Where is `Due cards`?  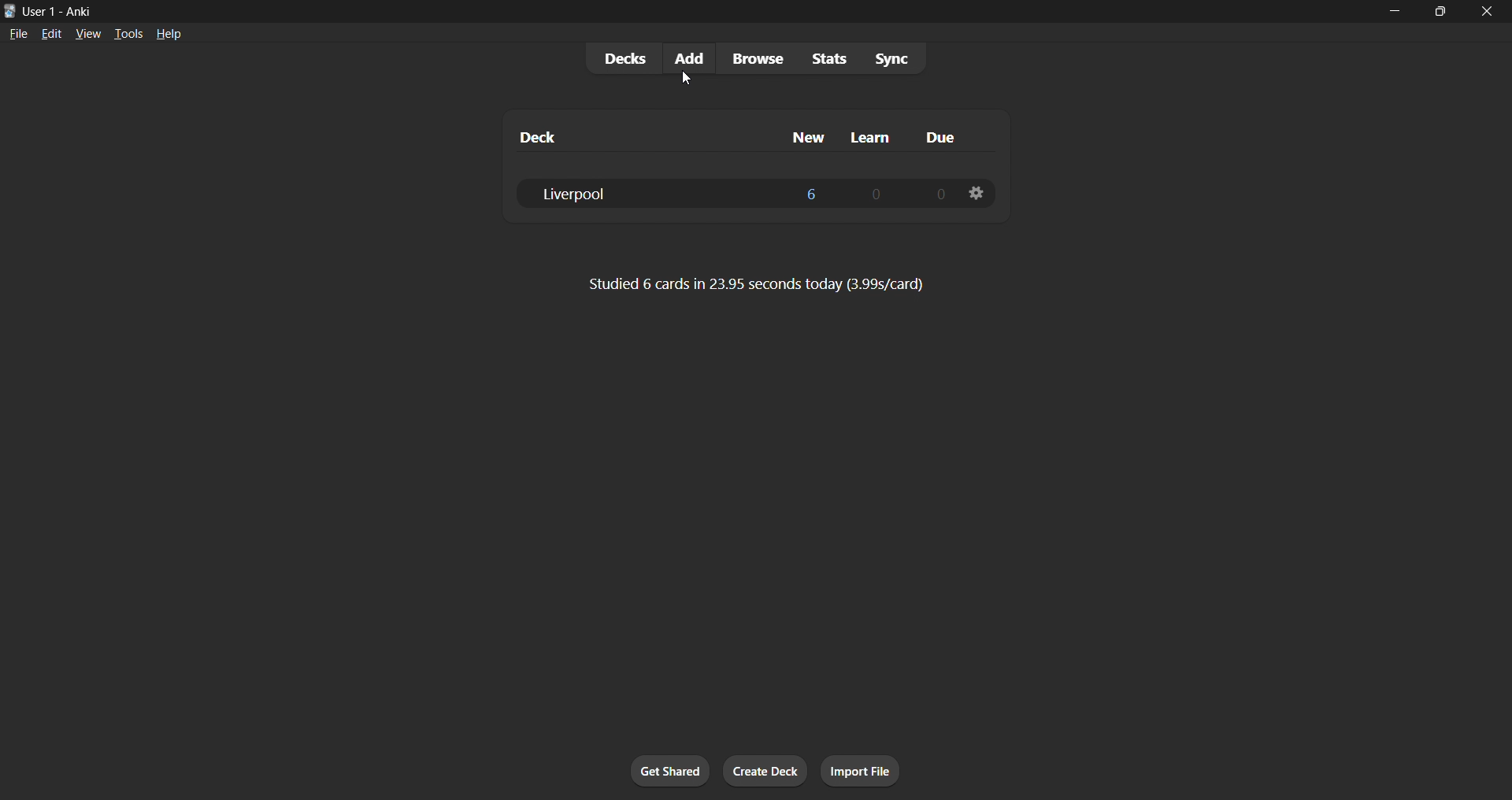
Due cards is located at coordinates (940, 193).